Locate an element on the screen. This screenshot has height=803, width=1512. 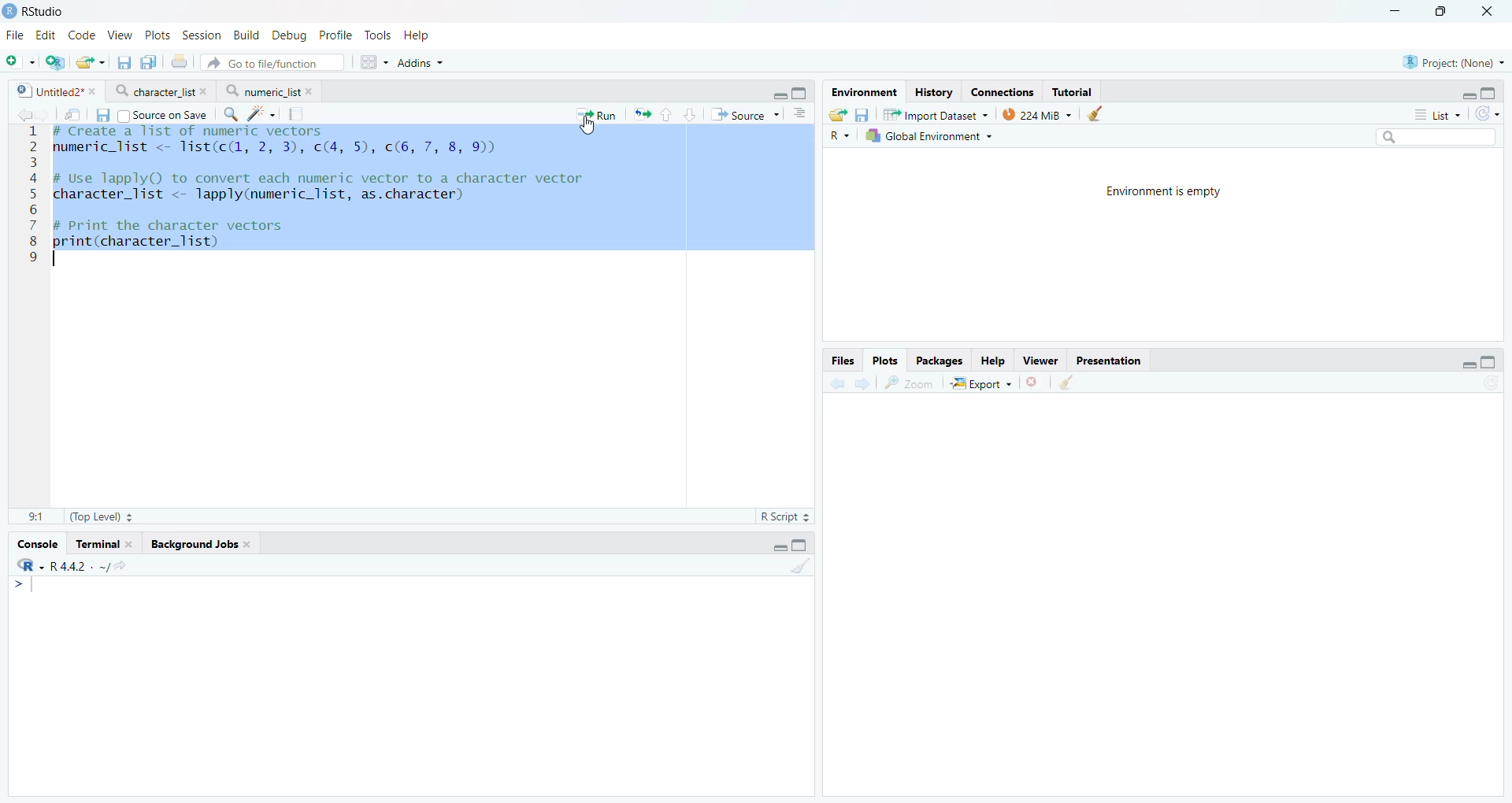
Open new file is located at coordinates (20, 62).